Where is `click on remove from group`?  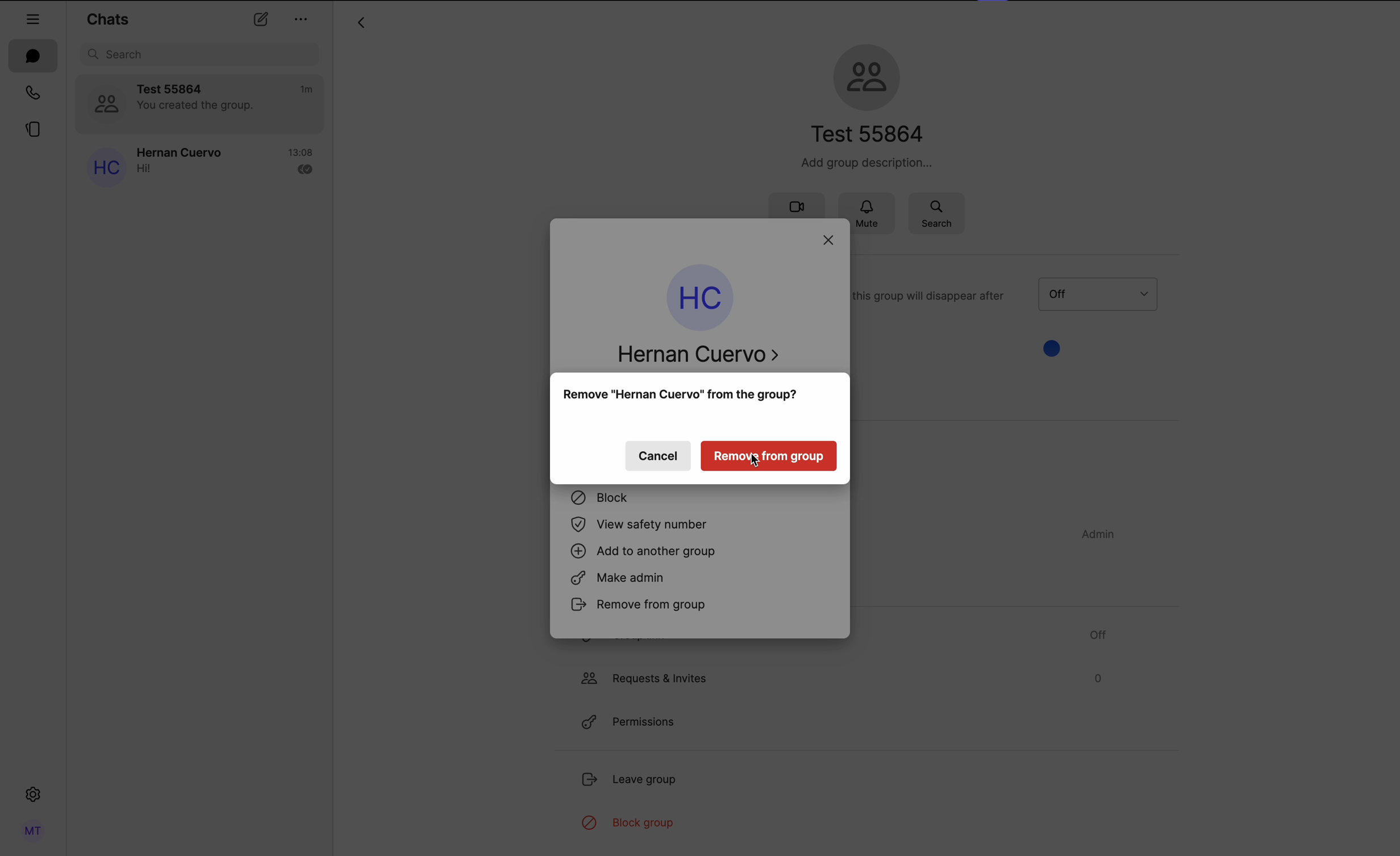
click on remove from group is located at coordinates (701, 608).